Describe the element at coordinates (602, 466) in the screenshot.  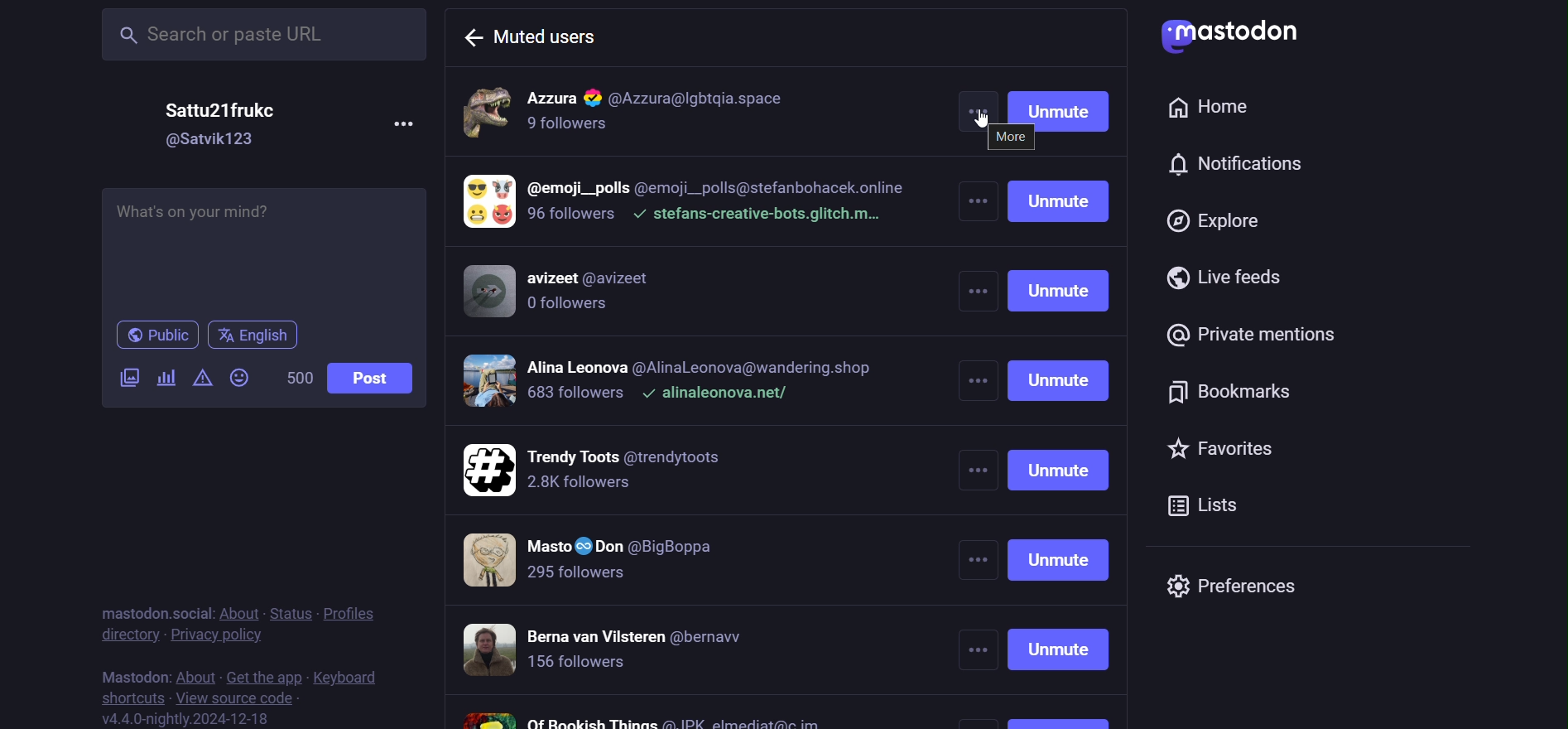
I see `muter users 5` at that location.